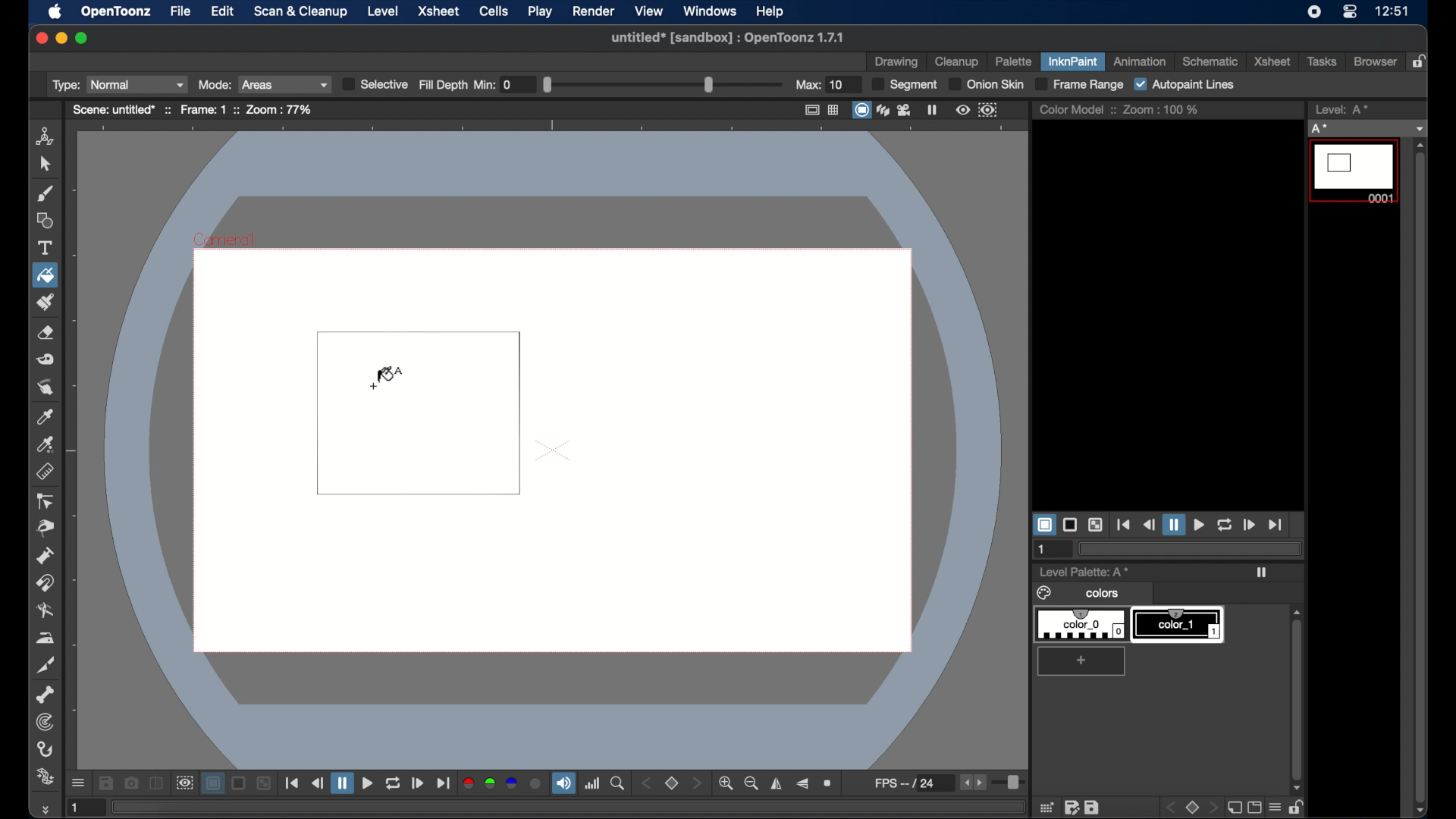 This screenshot has width=1456, height=819. Describe the element at coordinates (184, 783) in the screenshot. I see `sub camera view` at that location.